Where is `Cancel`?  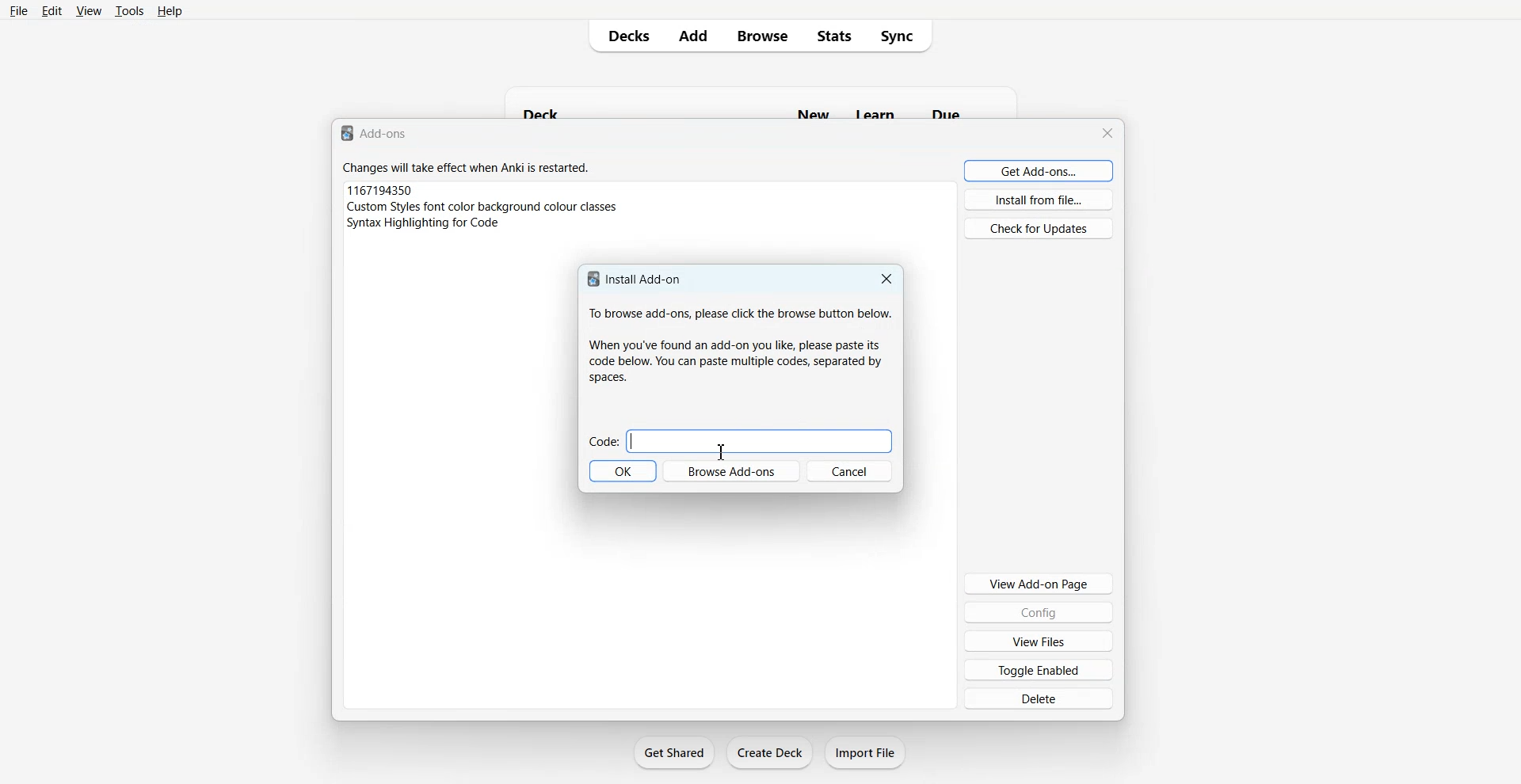
Cancel is located at coordinates (851, 470).